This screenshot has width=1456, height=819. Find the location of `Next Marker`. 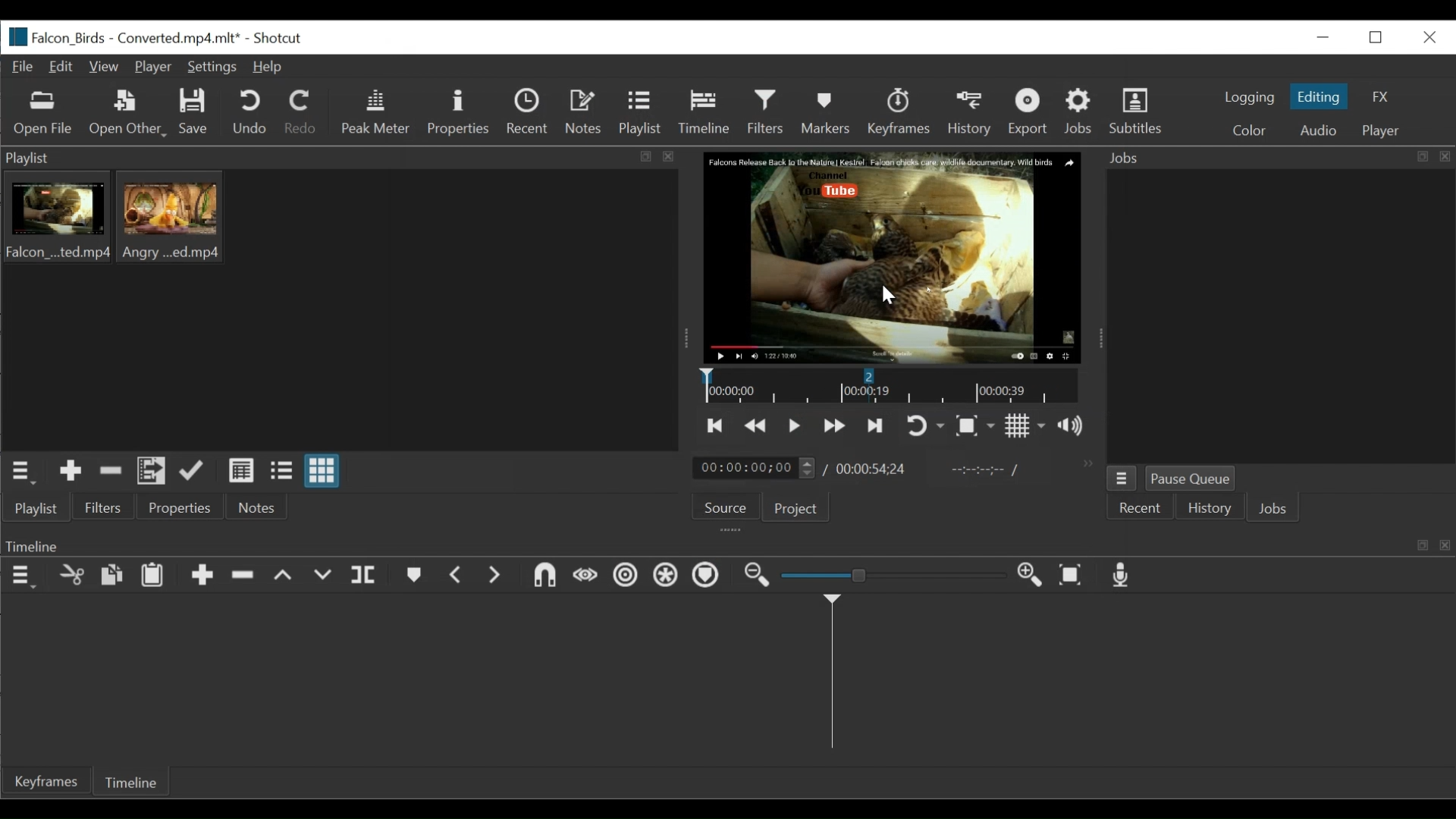

Next Marker is located at coordinates (497, 576).